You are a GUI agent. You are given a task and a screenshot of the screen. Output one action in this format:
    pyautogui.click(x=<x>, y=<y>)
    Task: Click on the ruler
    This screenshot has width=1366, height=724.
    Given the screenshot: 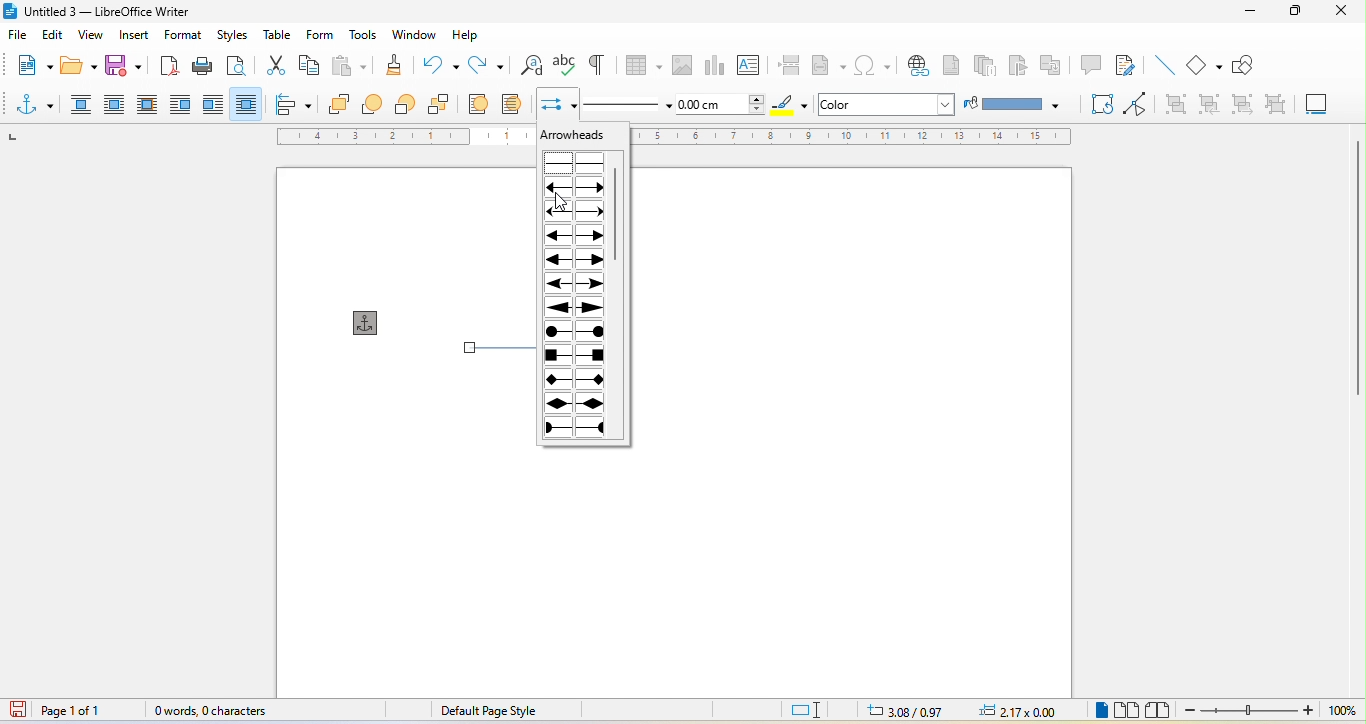 What is the action you would take?
    pyautogui.click(x=855, y=137)
    